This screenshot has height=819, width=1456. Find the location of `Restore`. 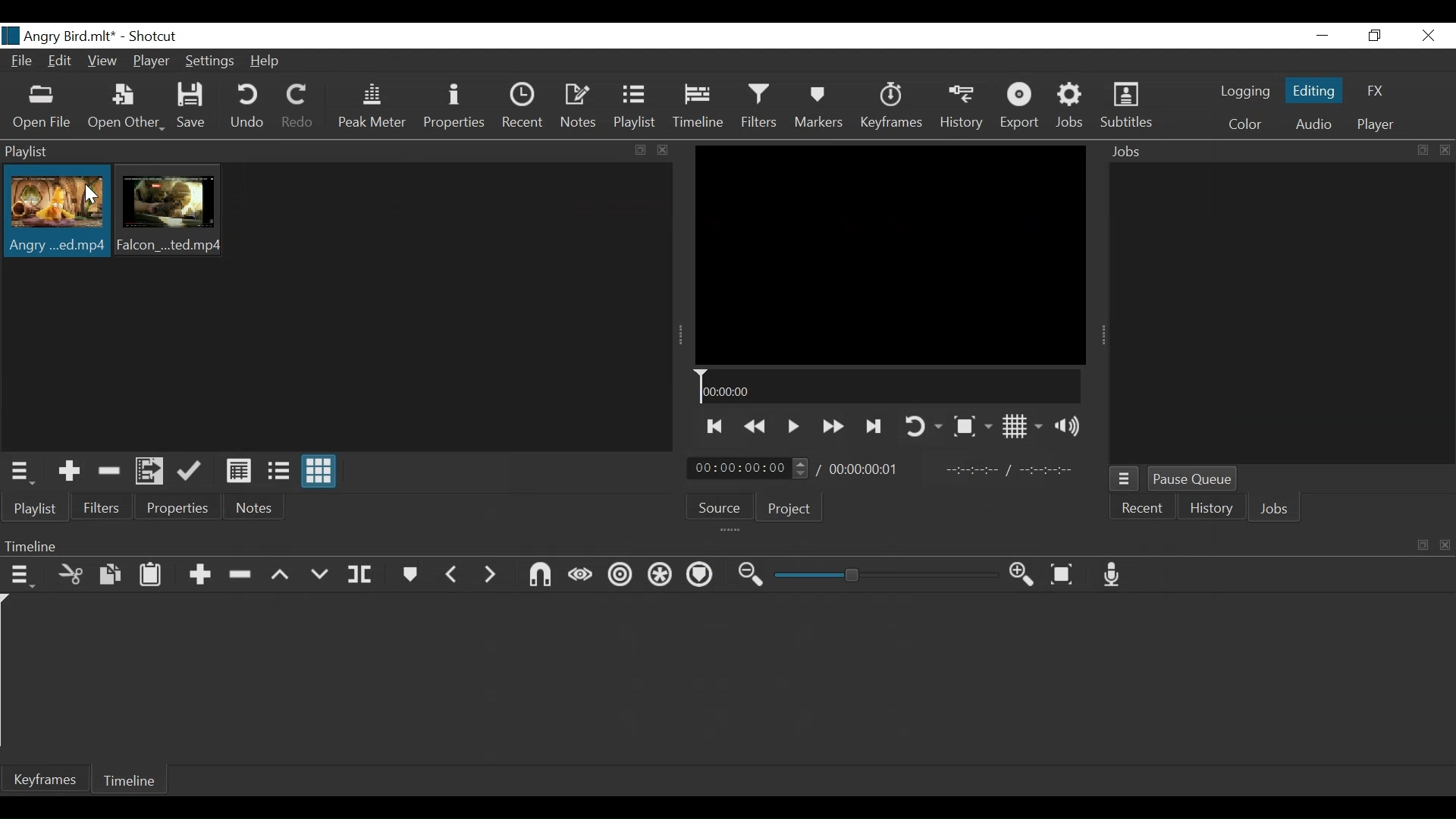

Restore is located at coordinates (1372, 36).